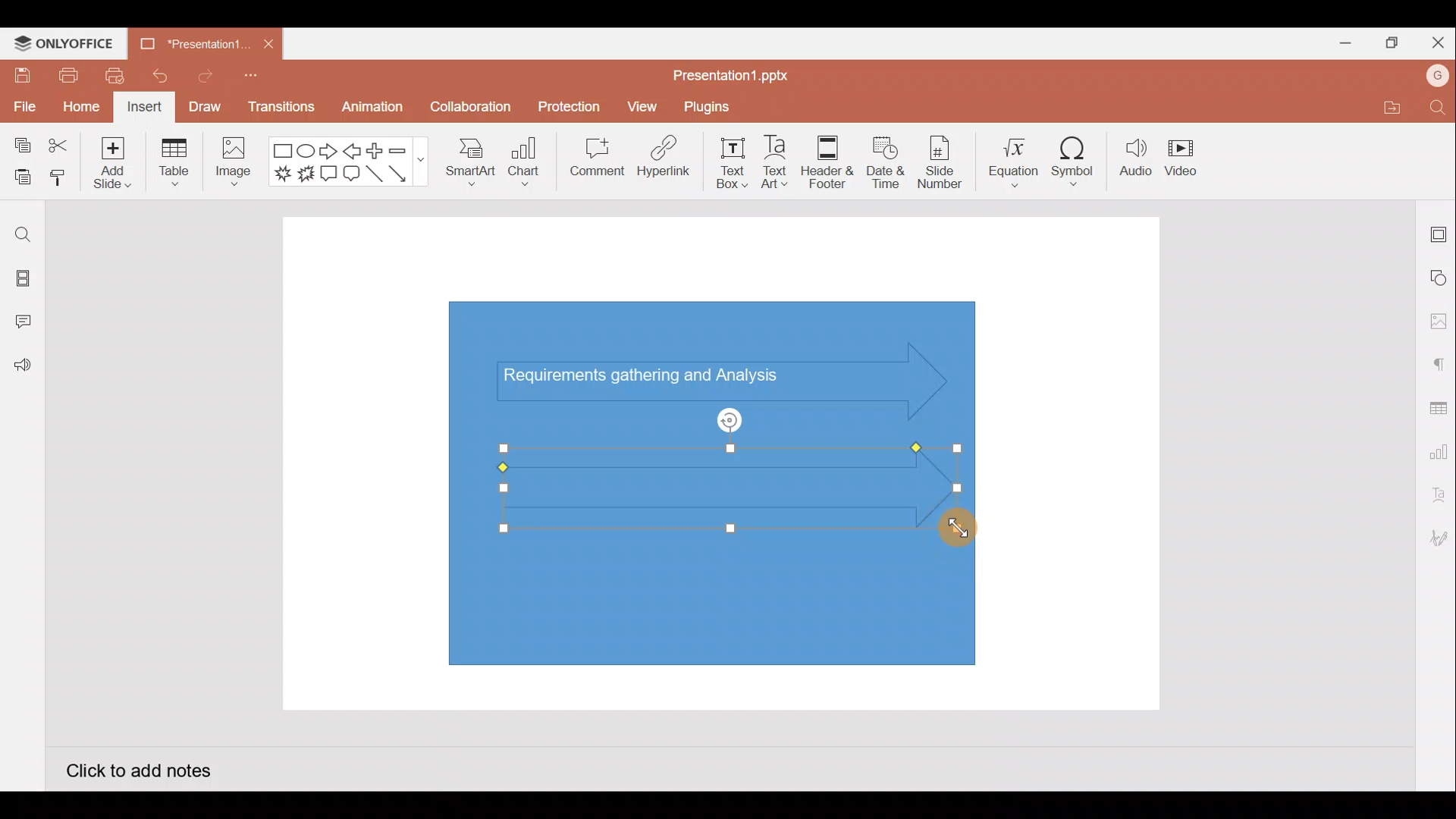 The width and height of the screenshot is (1456, 819). What do you see at coordinates (565, 107) in the screenshot?
I see `Protection` at bounding box center [565, 107].